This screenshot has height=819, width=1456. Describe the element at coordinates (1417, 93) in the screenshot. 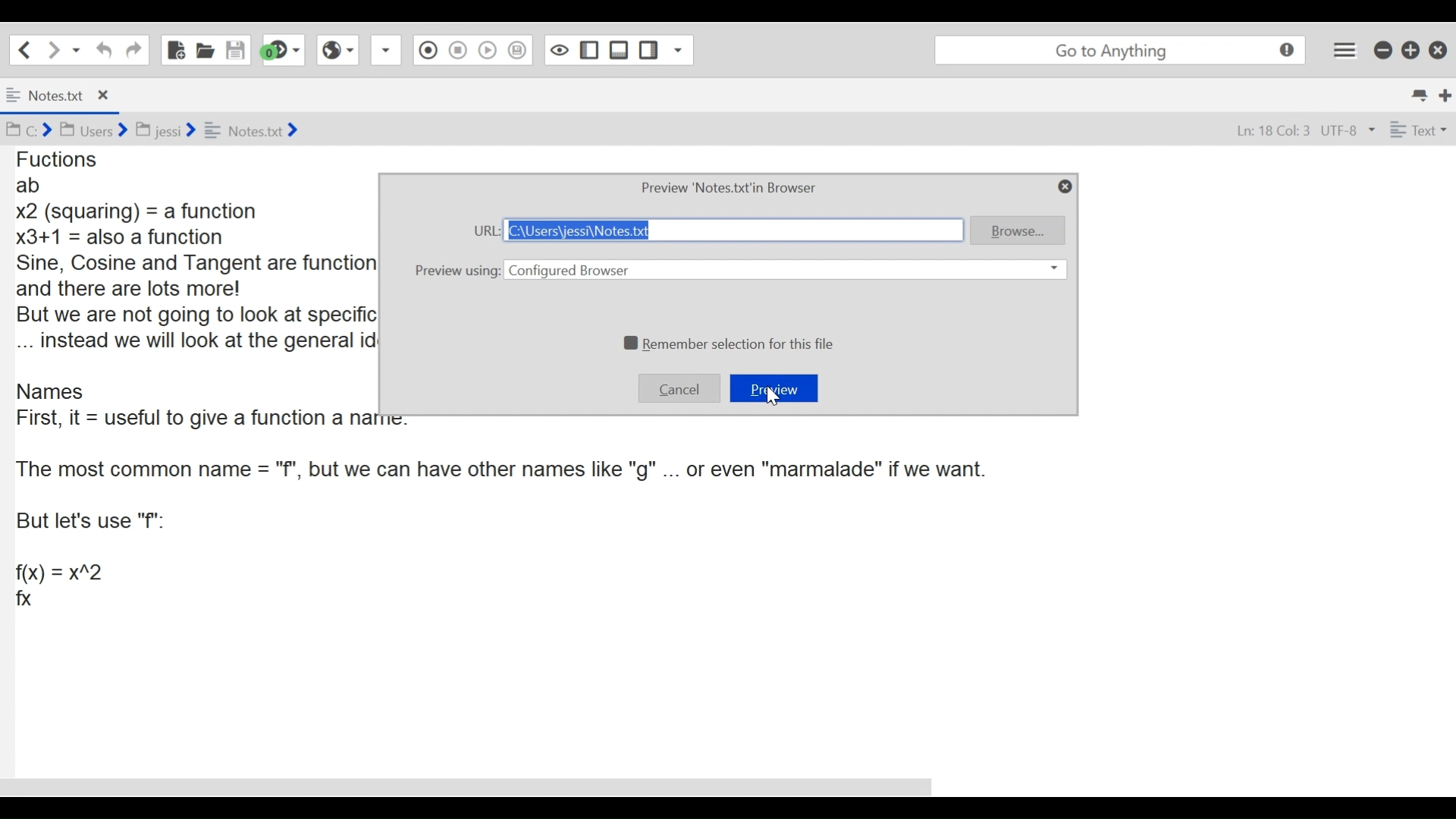

I see `List all tabs` at that location.